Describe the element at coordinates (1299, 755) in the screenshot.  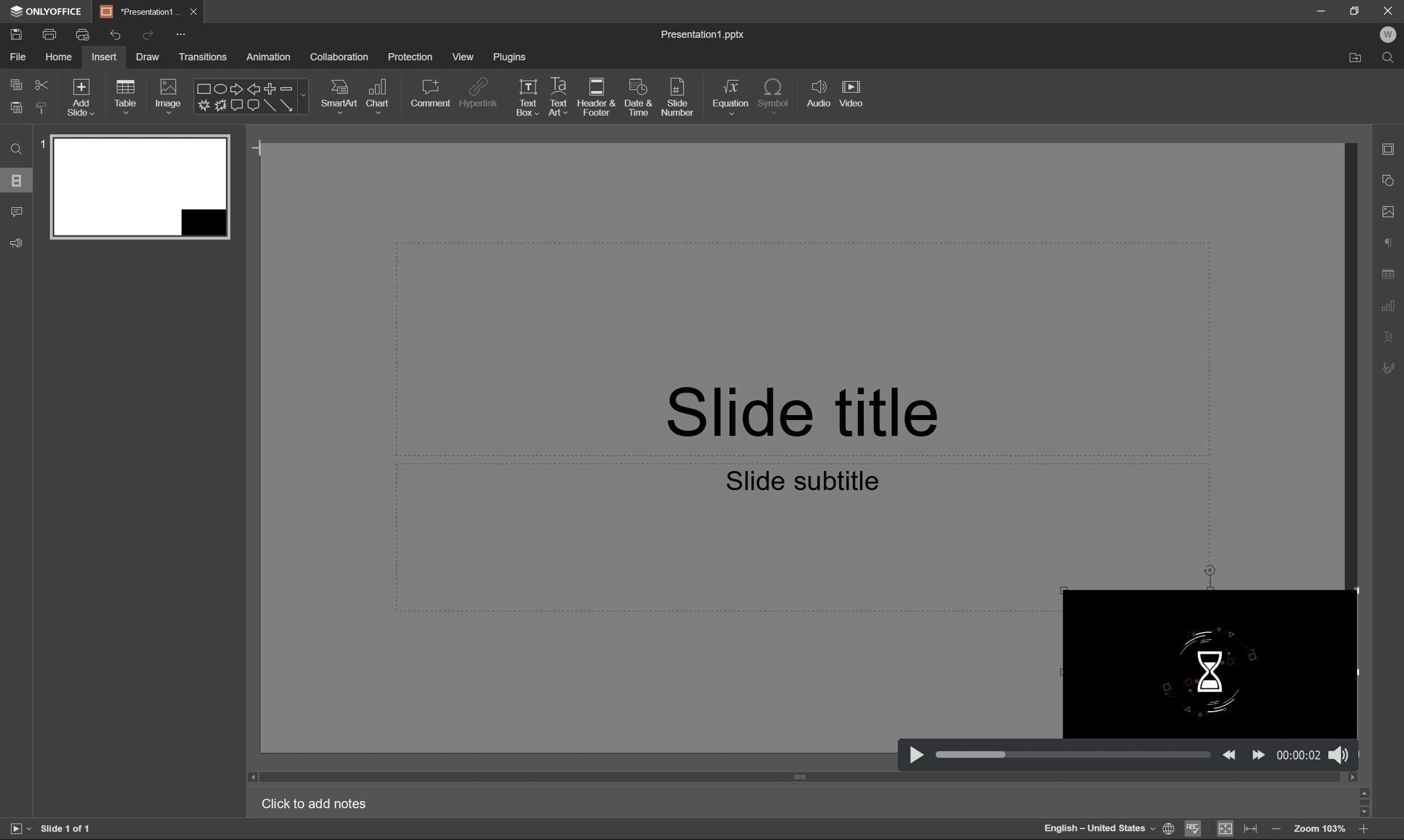
I see `time` at that location.